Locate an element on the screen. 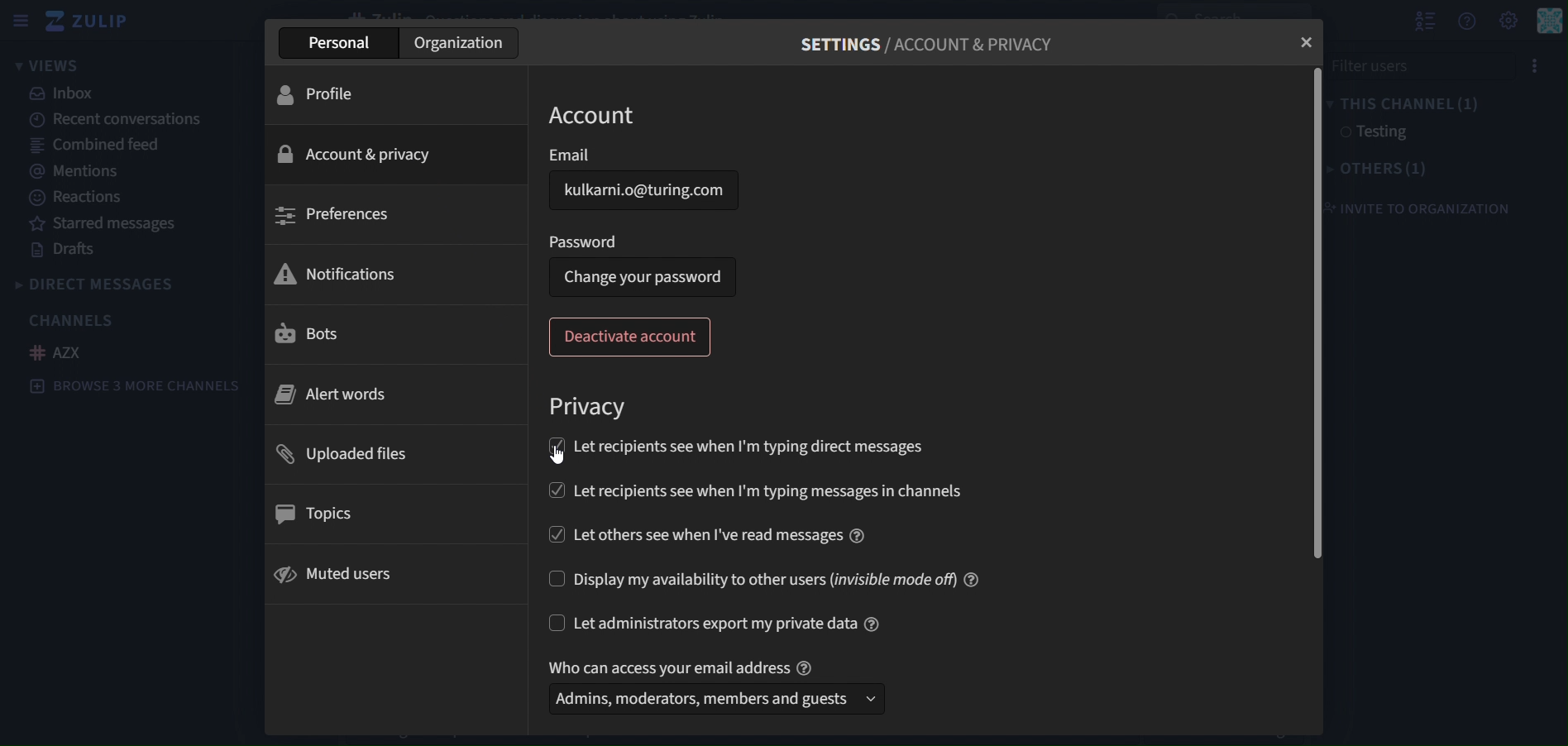  inbox is located at coordinates (80, 93).